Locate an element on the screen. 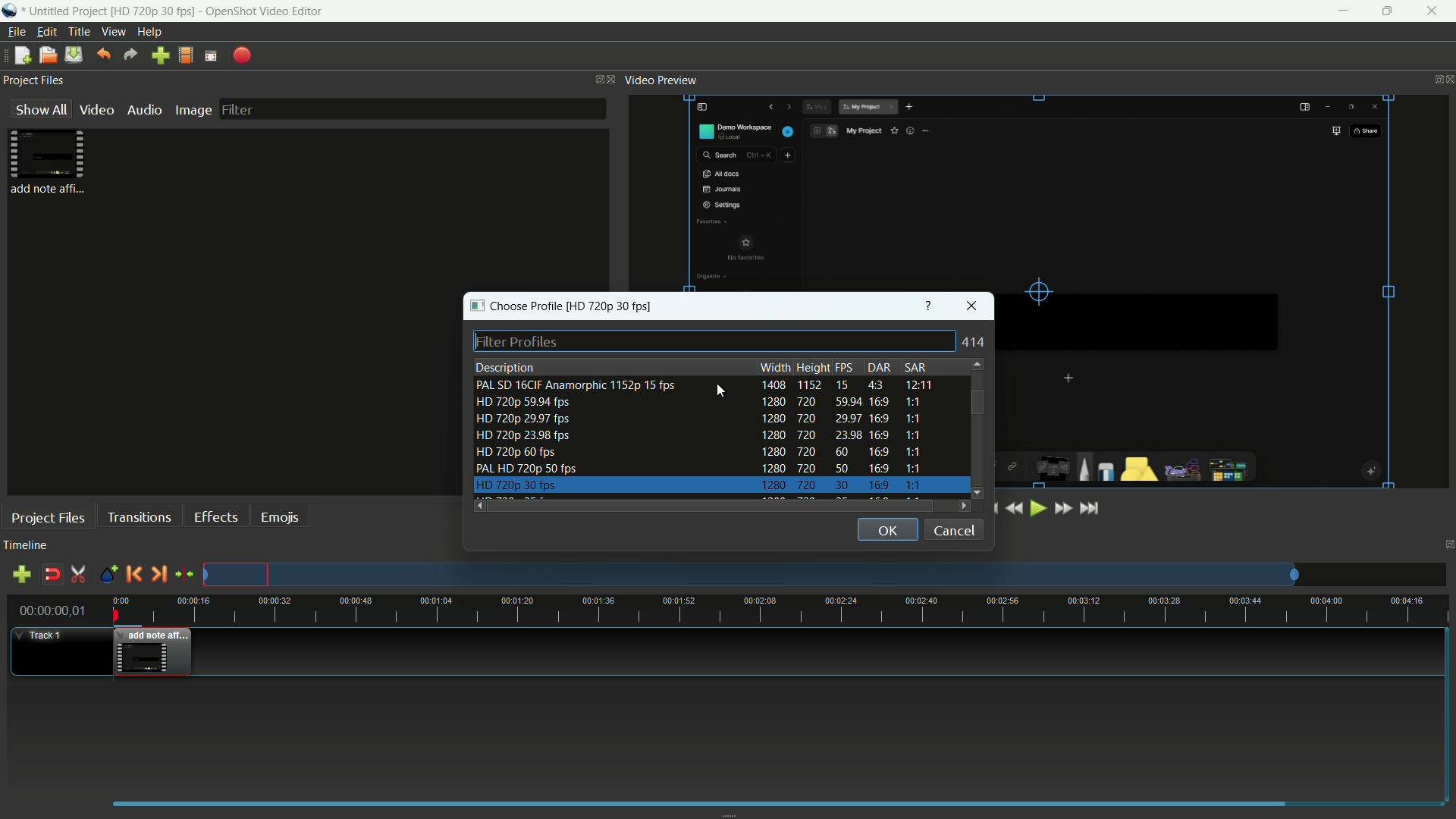 Image resolution: width=1456 pixels, height=819 pixels. profile-4 is located at coordinates (703, 436).